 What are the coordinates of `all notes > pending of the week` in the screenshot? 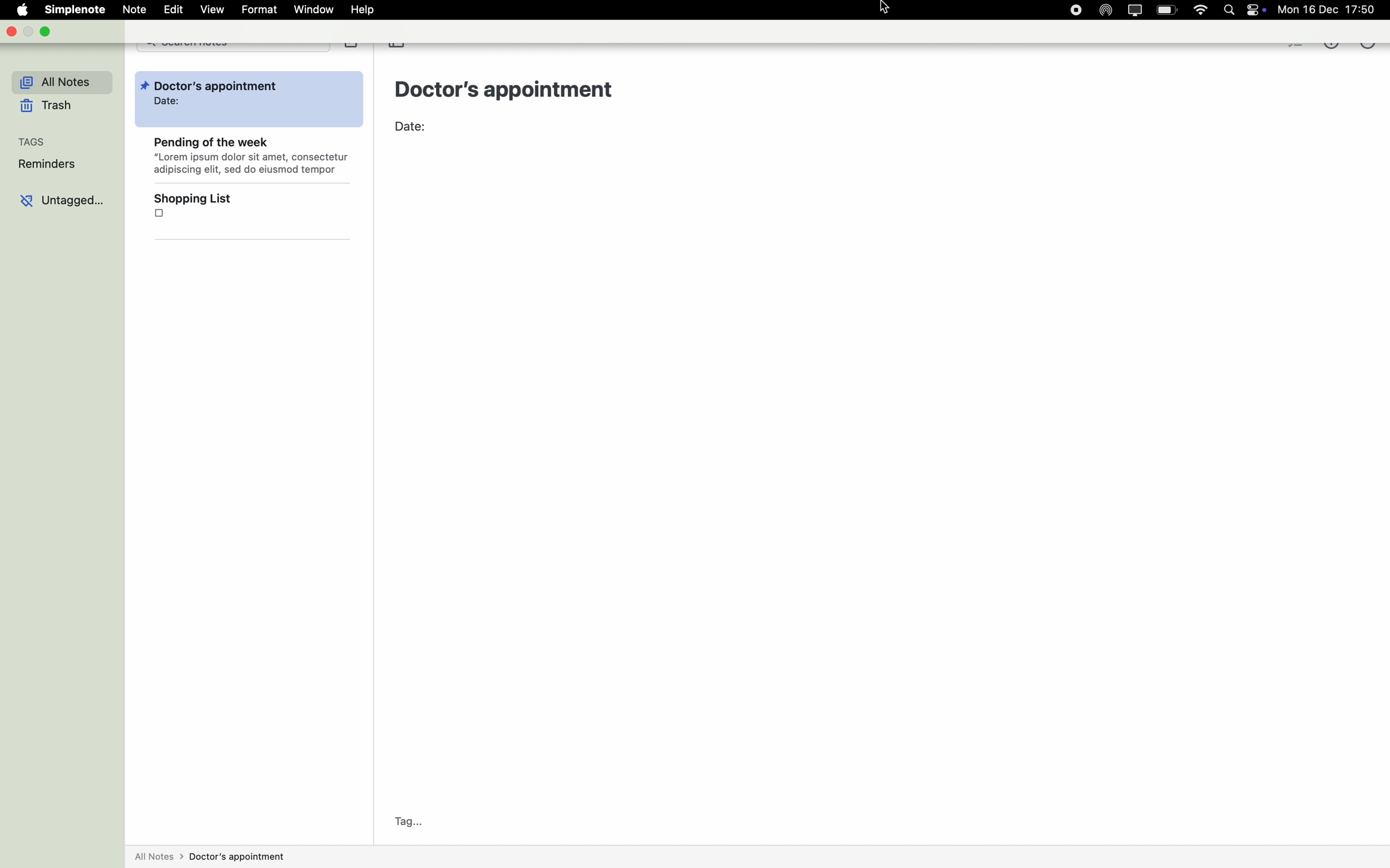 It's located at (208, 858).